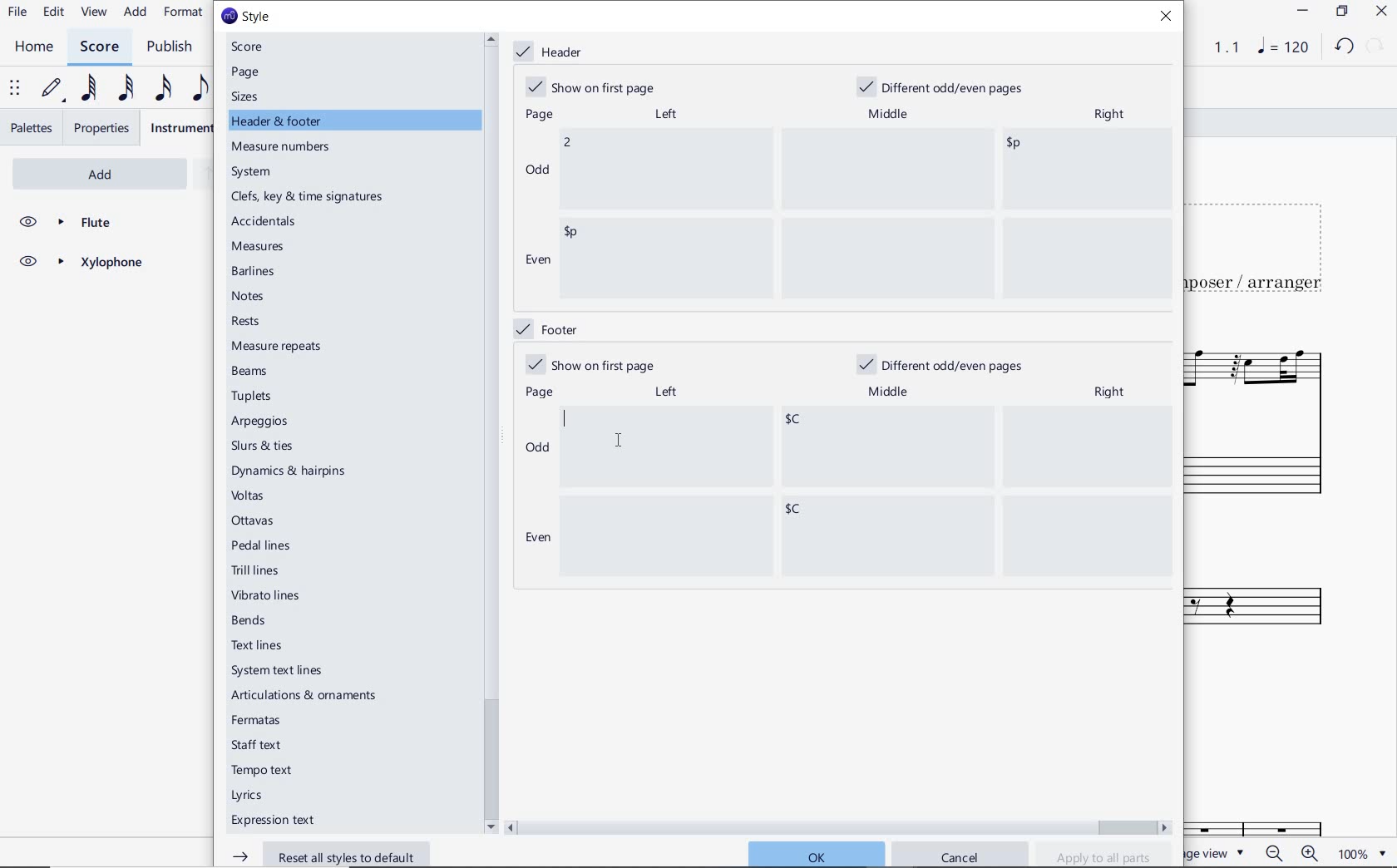 This screenshot has width=1397, height=868. I want to click on page, so click(541, 392).